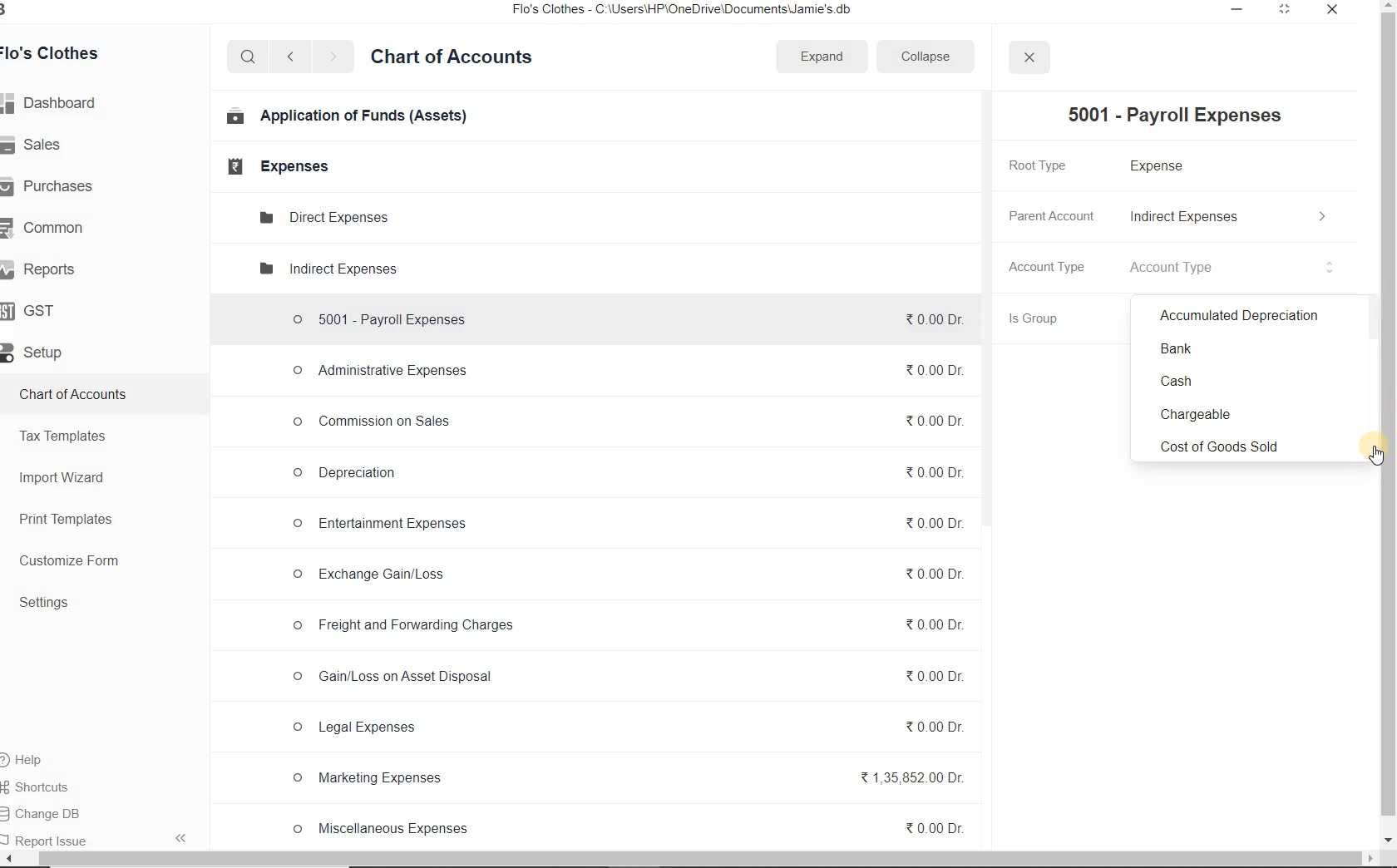  Describe the element at coordinates (1181, 114) in the screenshot. I see `5001 - Payroll Expenses` at that location.